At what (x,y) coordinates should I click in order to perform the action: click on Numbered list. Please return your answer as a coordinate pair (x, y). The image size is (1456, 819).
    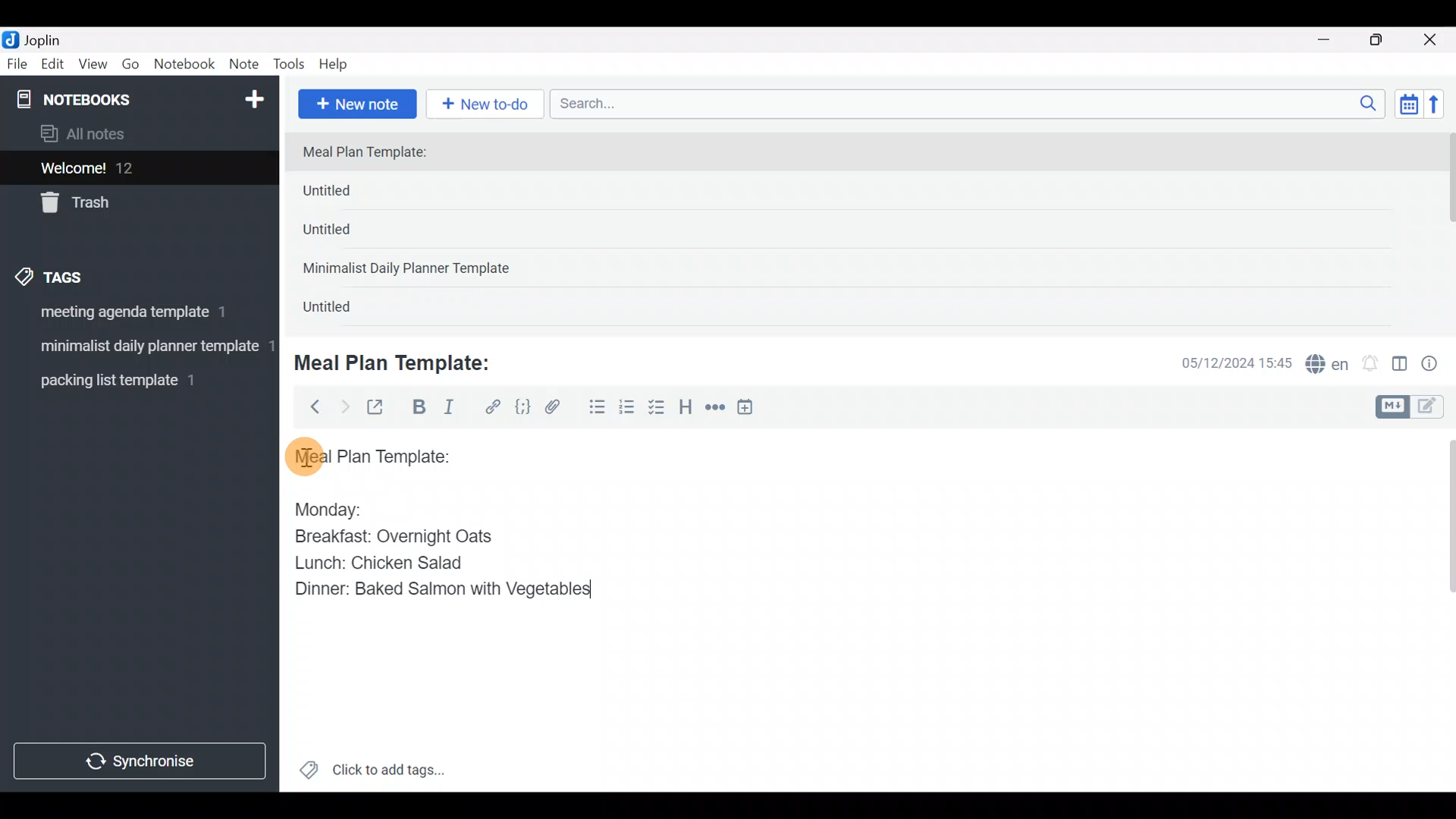
    Looking at the image, I should click on (627, 410).